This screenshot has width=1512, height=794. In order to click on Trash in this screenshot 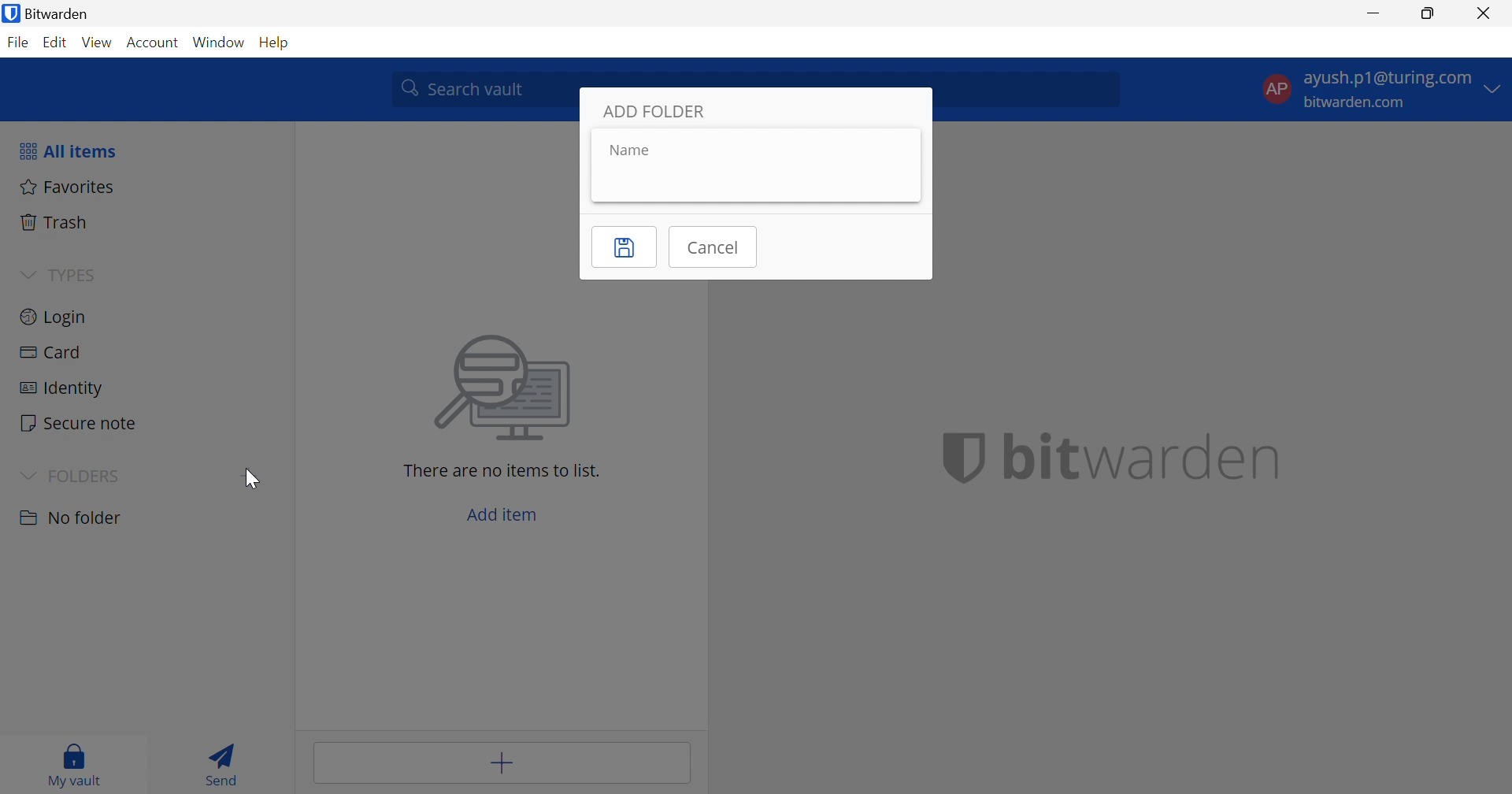, I will do `click(55, 222)`.